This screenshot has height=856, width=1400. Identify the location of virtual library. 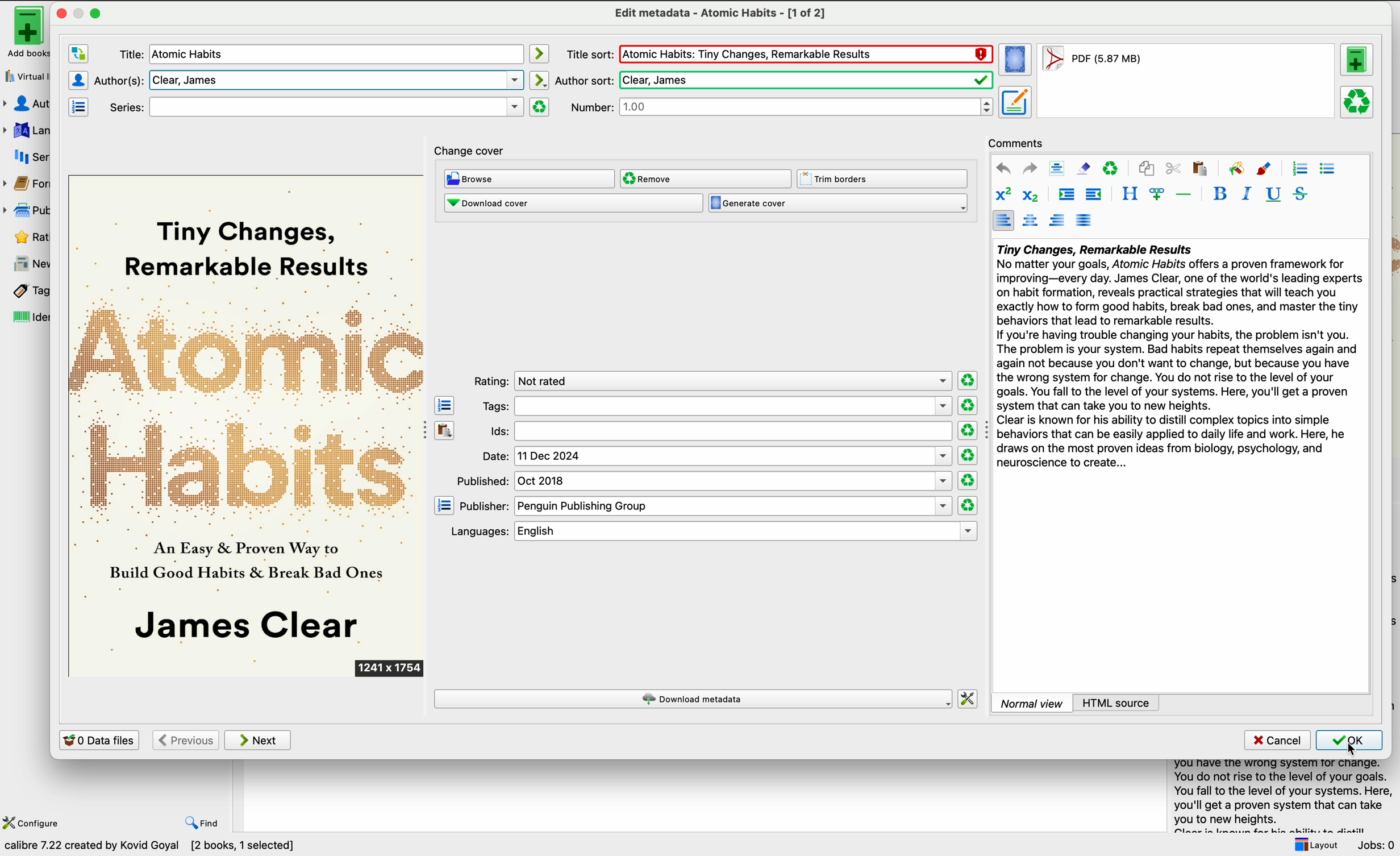
(24, 76).